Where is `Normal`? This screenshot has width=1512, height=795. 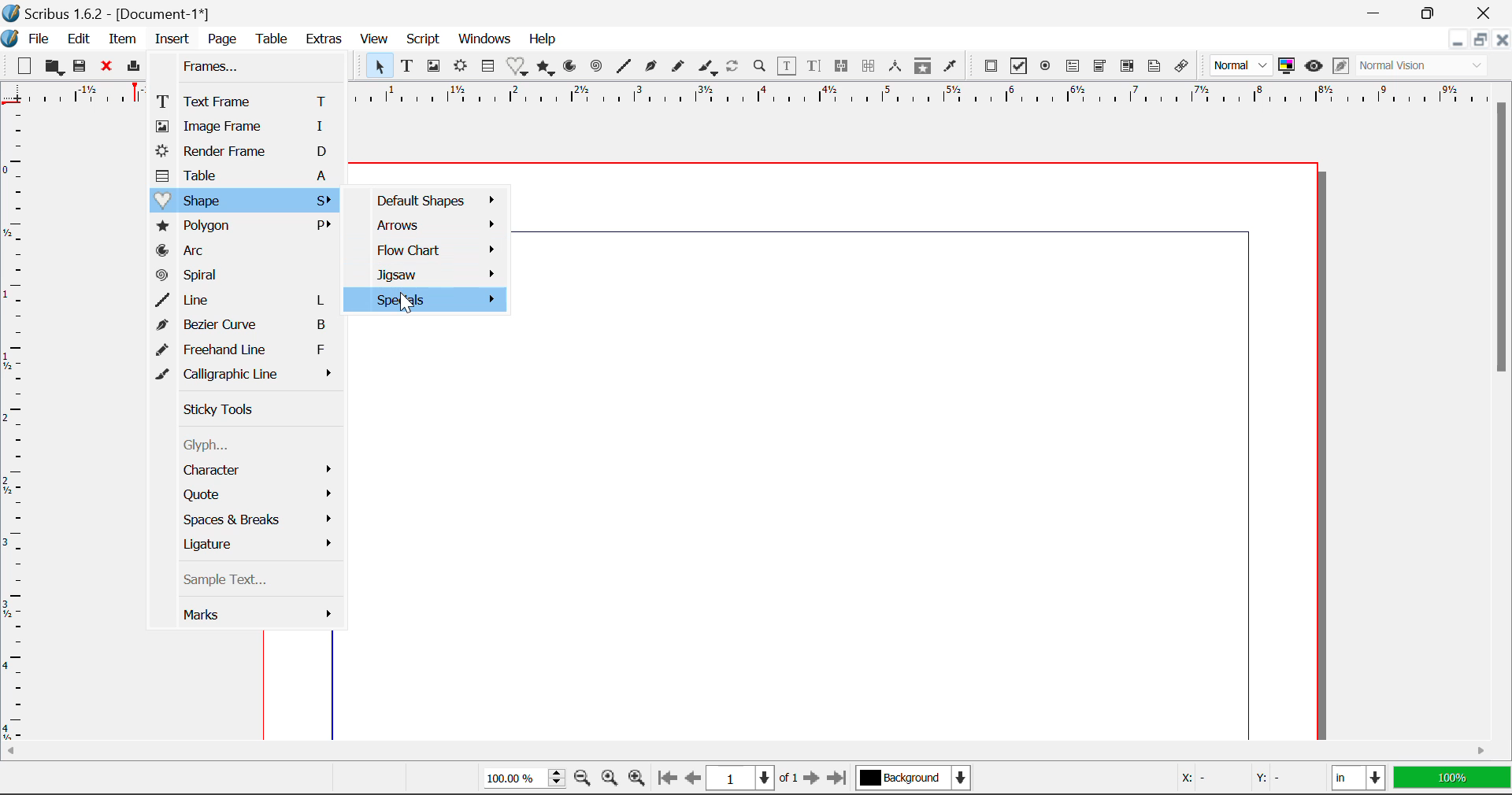 Normal is located at coordinates (1243, 65).